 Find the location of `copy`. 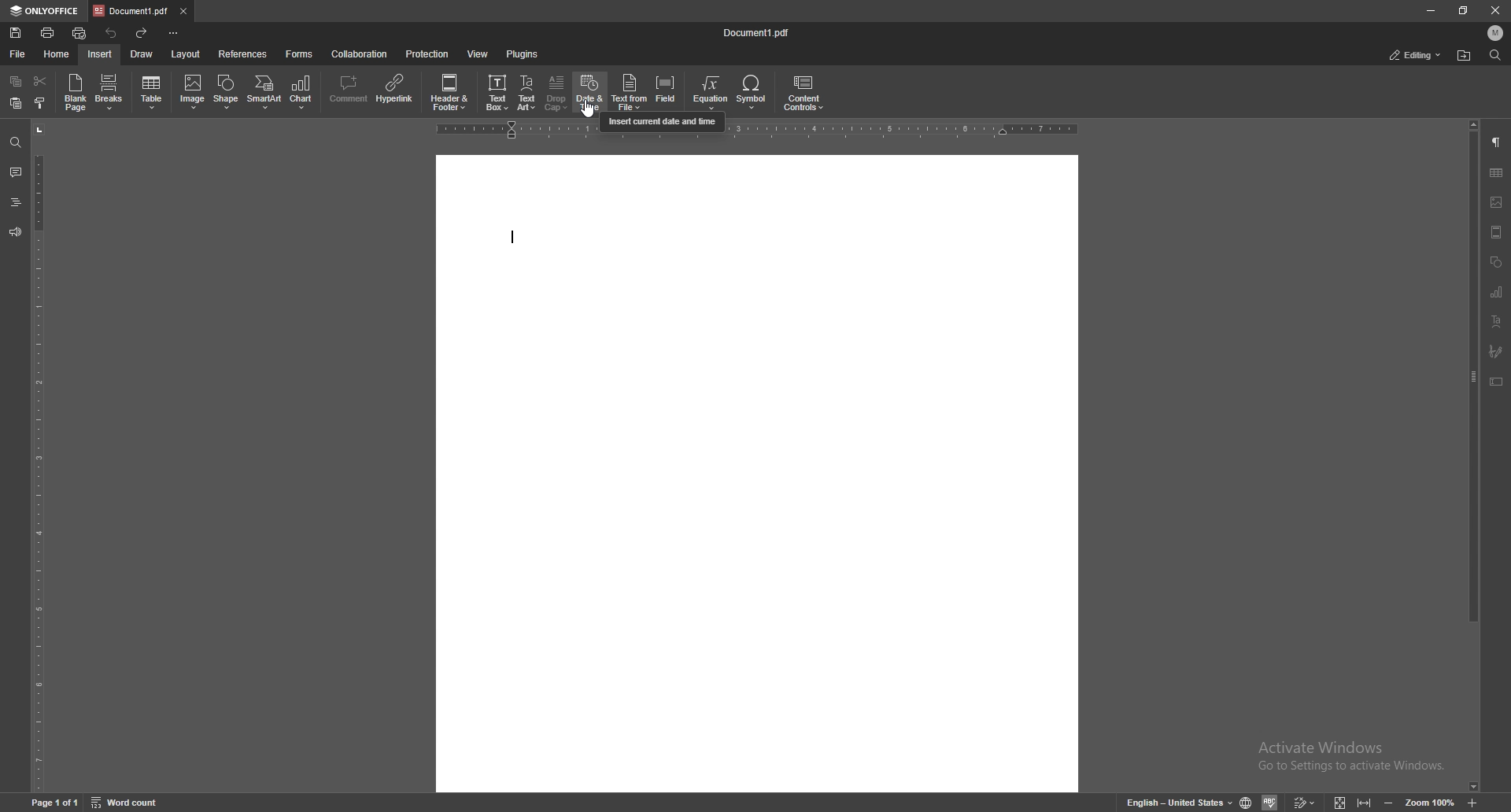

copy is located at coordinates (17, 80).